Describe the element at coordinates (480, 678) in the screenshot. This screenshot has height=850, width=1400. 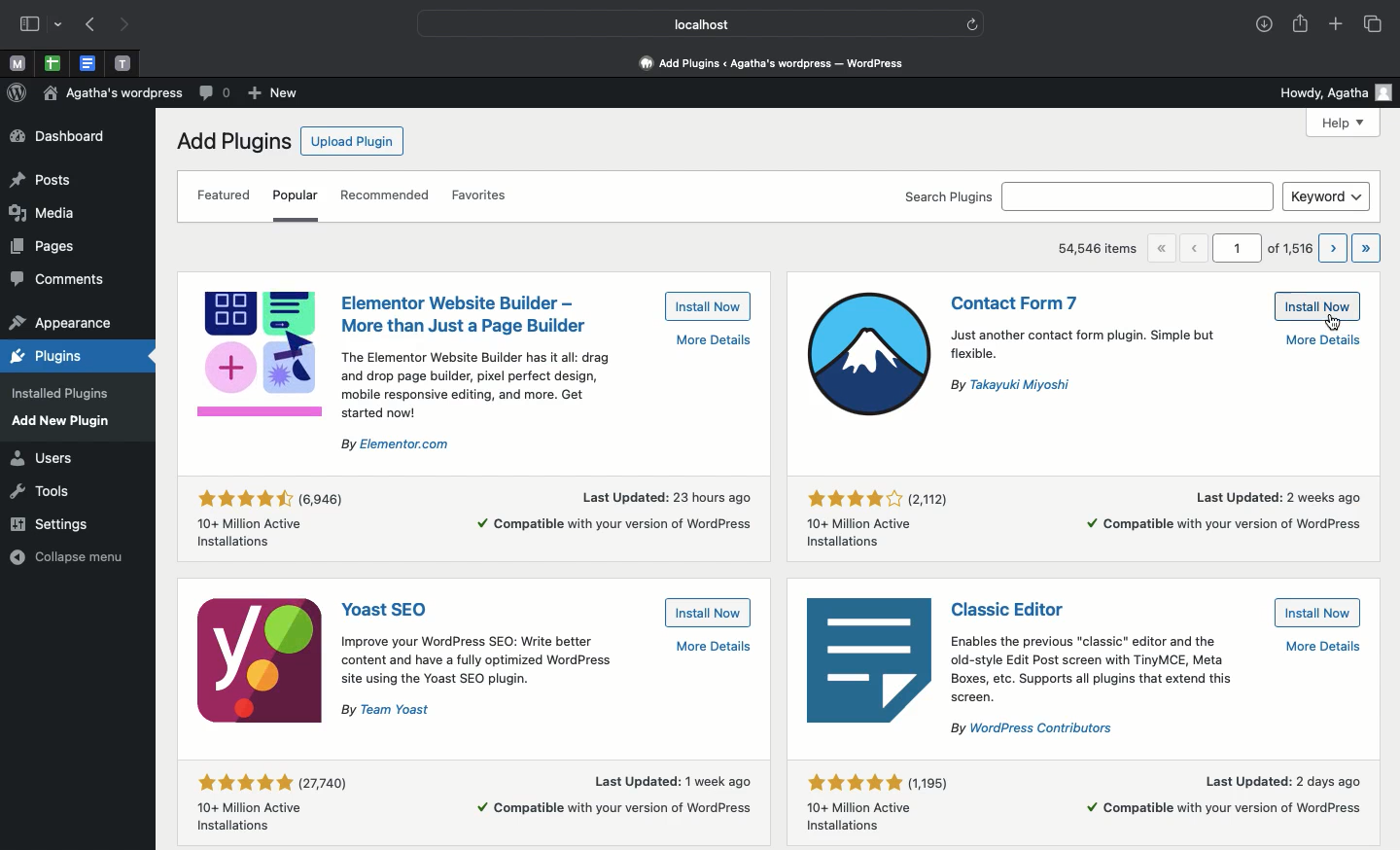
I see `Informational text` at that location.